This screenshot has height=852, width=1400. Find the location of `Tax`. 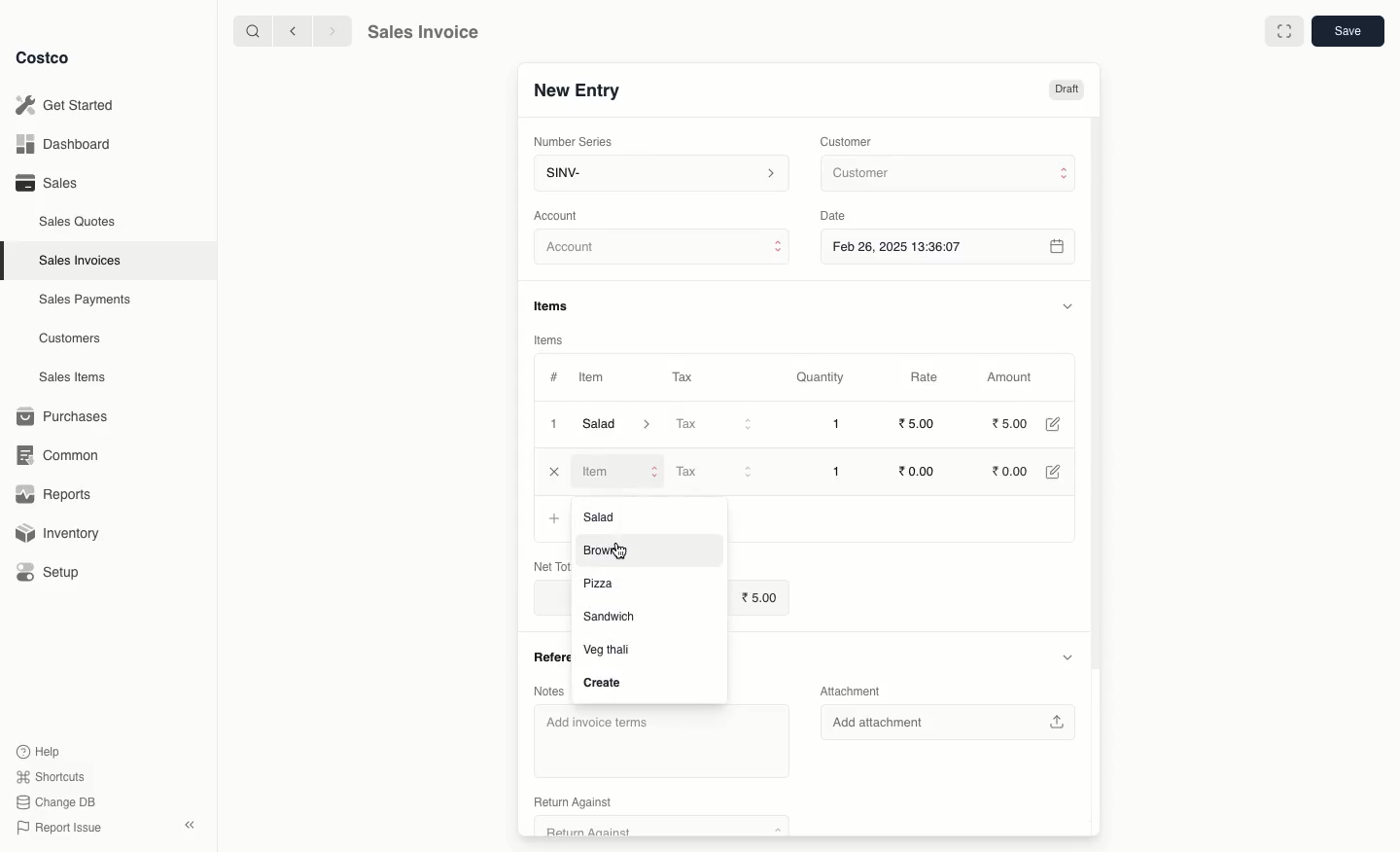

Tax is located at coordinates (682, 373).